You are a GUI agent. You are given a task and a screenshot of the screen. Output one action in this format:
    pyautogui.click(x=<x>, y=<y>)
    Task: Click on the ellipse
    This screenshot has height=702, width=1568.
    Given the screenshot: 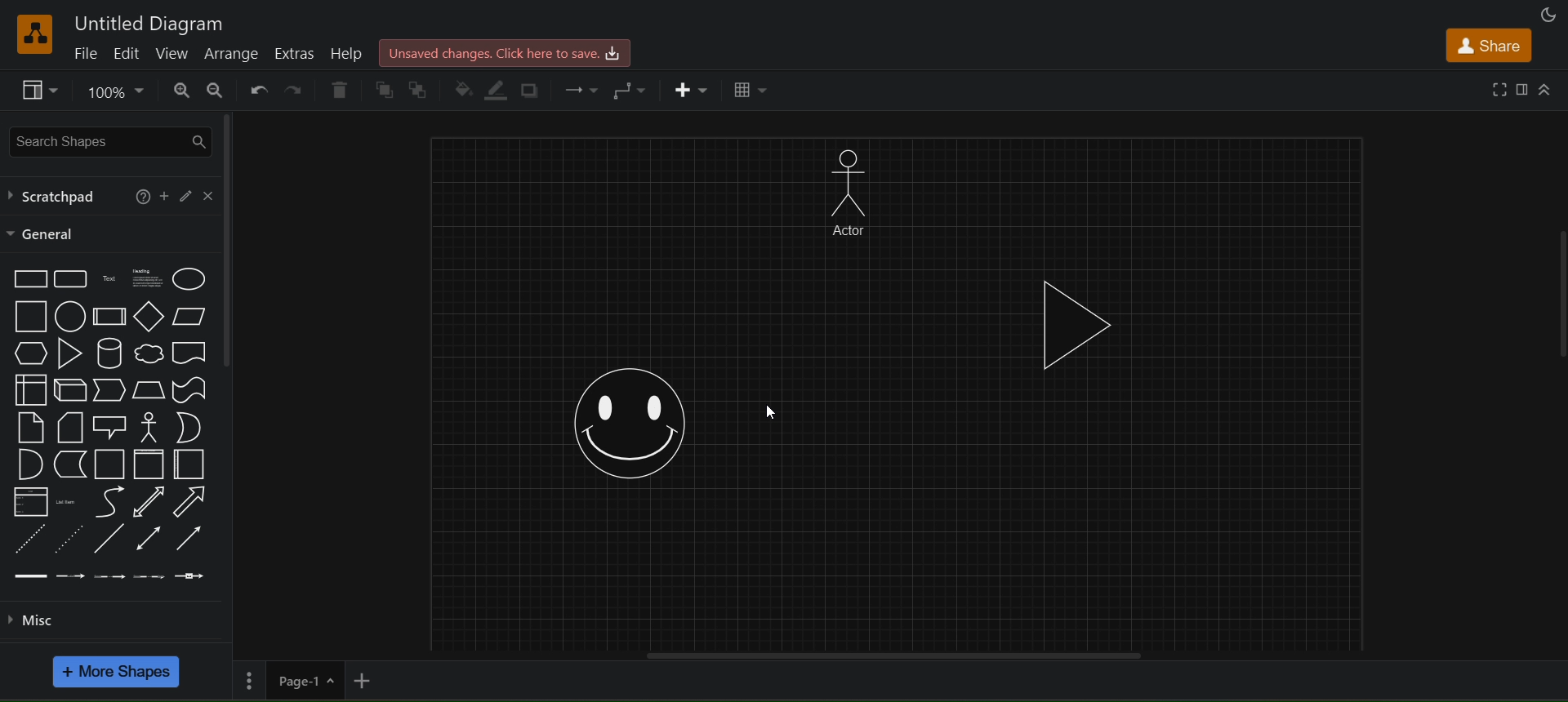 What is the action you would take?
    pyautogui.click(x=188, y=279)
    